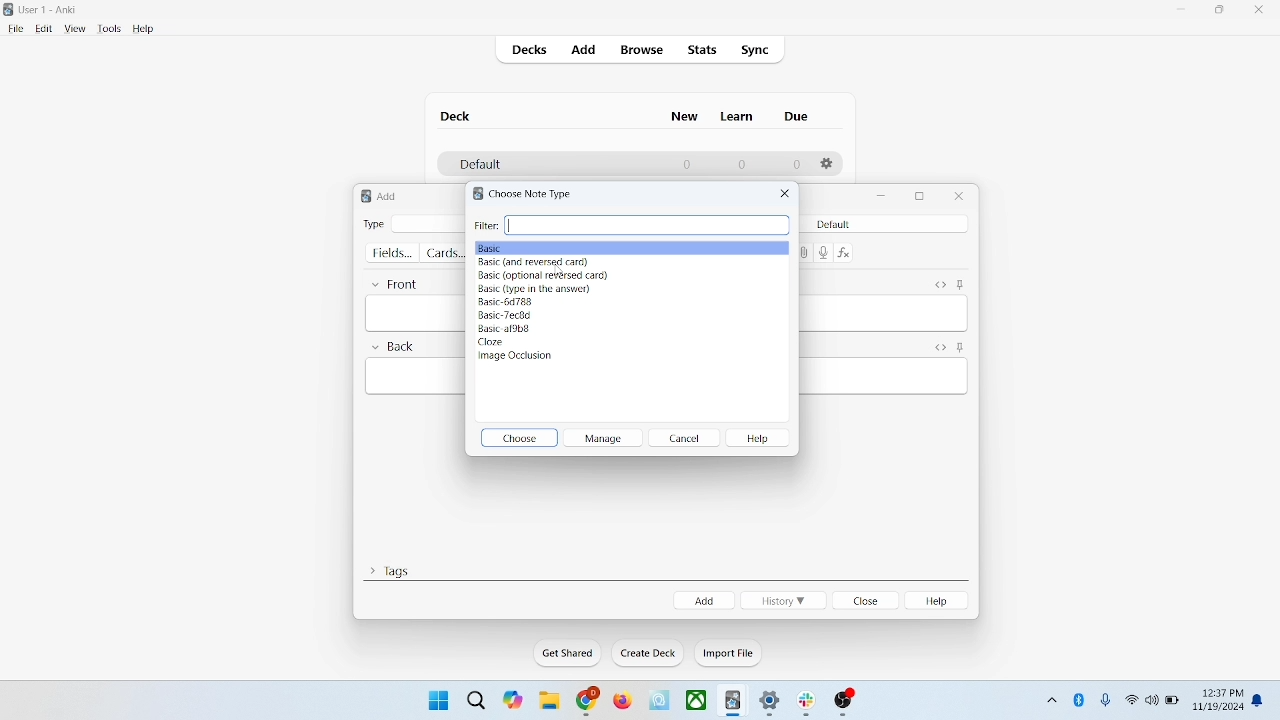 This screenshot has width=1280, height=720. Describe the element at coordinates (520, 437) in the screenshot. I see `choose` at that location.